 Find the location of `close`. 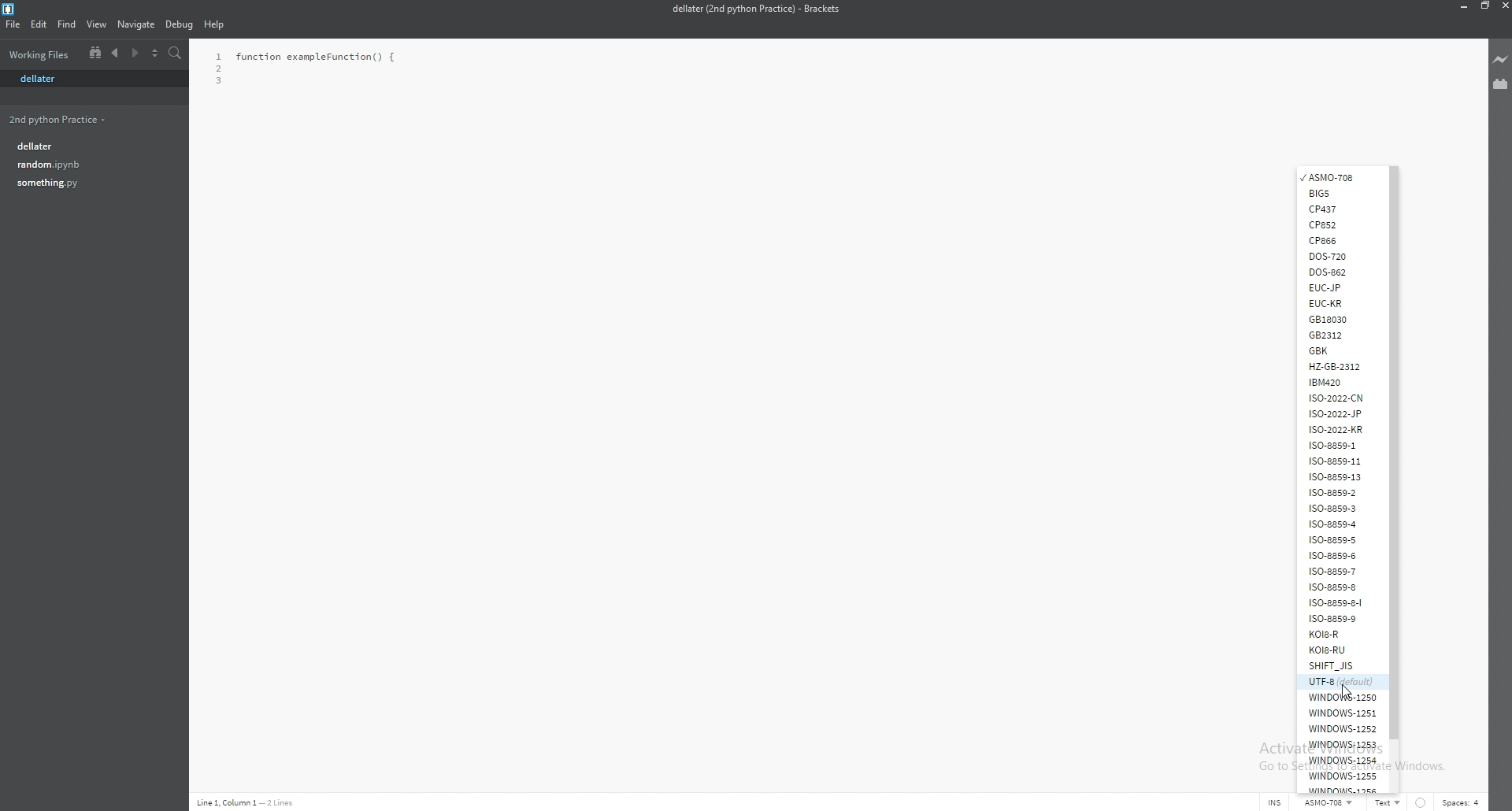

close is located at coordinates (1505, 6).